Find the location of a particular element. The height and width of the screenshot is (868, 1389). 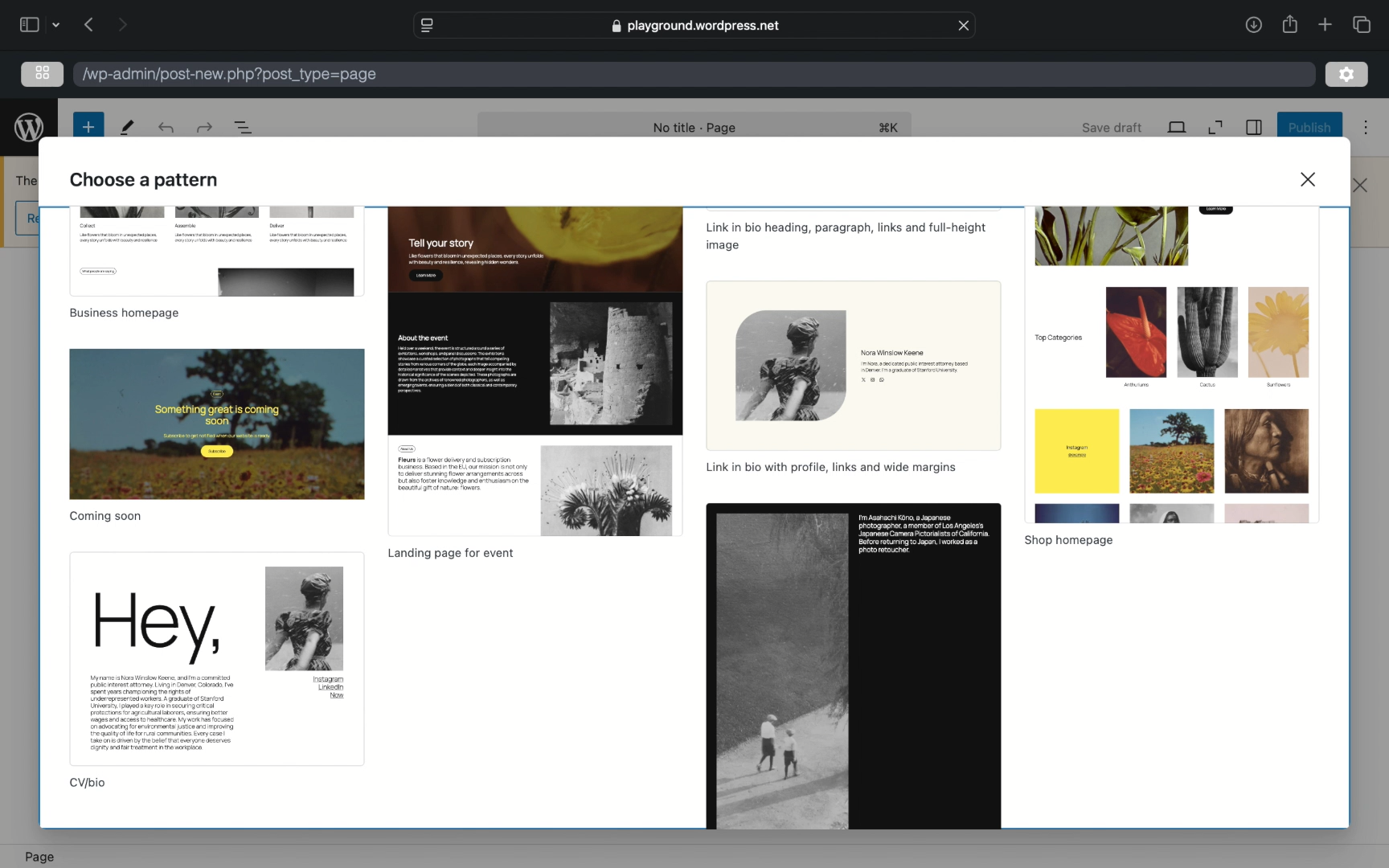

tools is located at coordinates (127, 129).